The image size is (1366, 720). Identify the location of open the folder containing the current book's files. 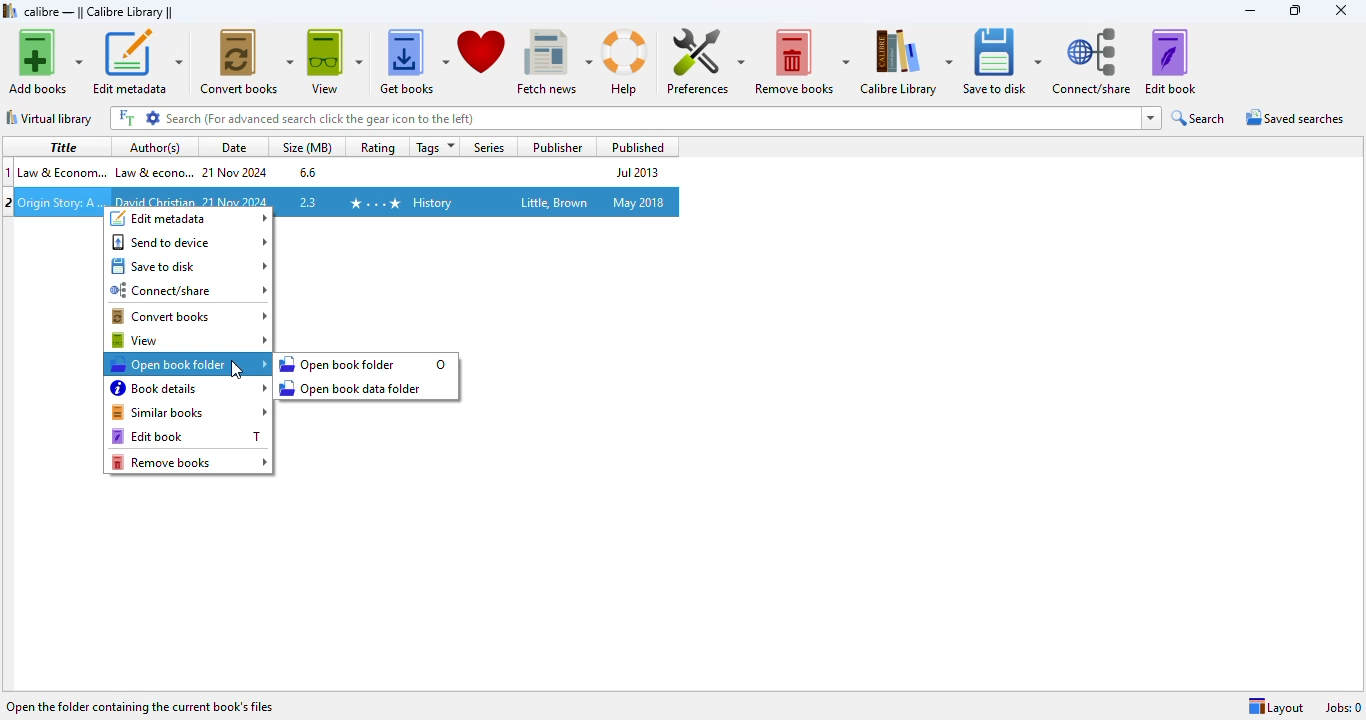
(141, 705).